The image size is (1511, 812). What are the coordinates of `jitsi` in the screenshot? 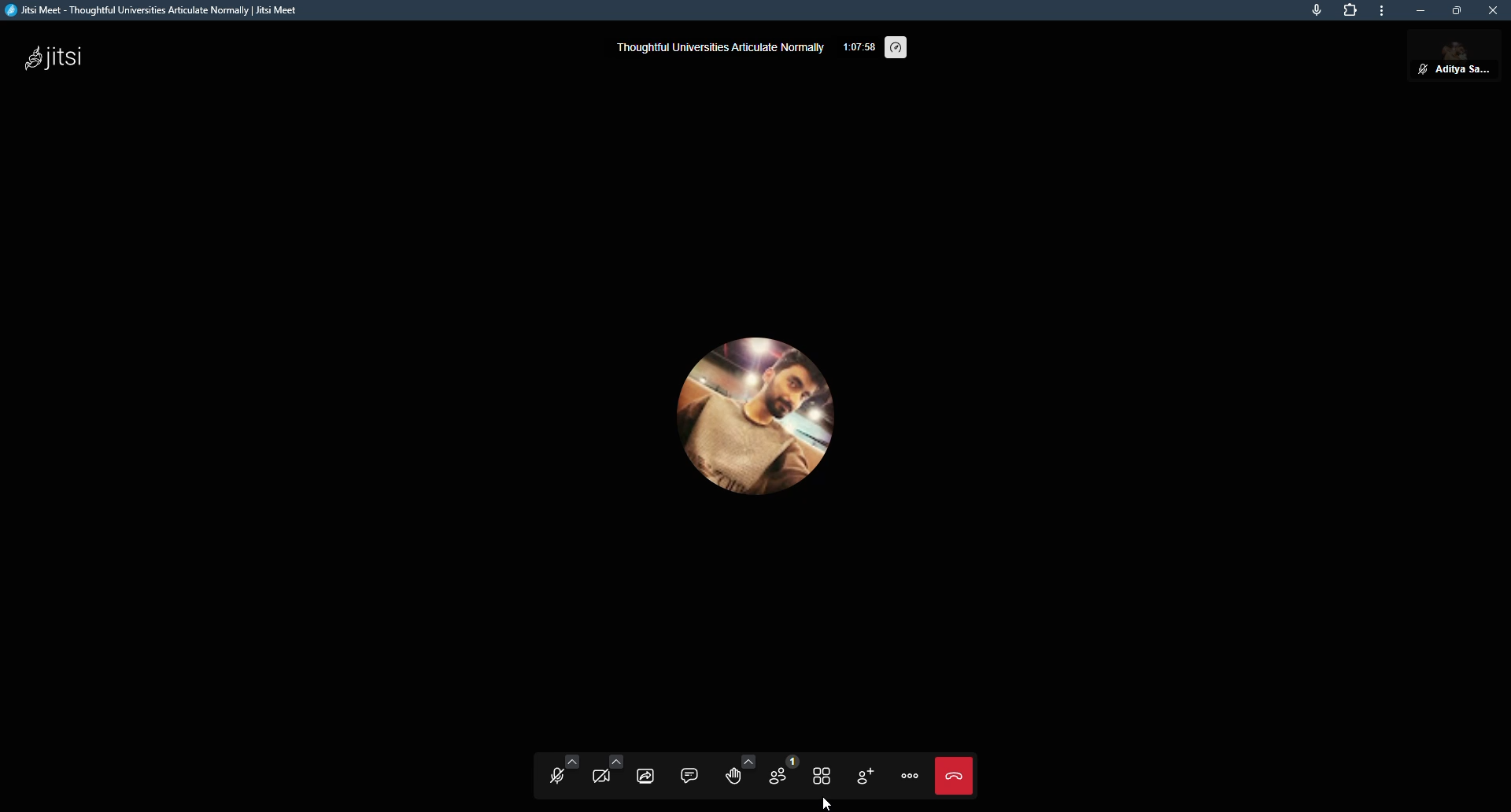 It's located at (60, 56).